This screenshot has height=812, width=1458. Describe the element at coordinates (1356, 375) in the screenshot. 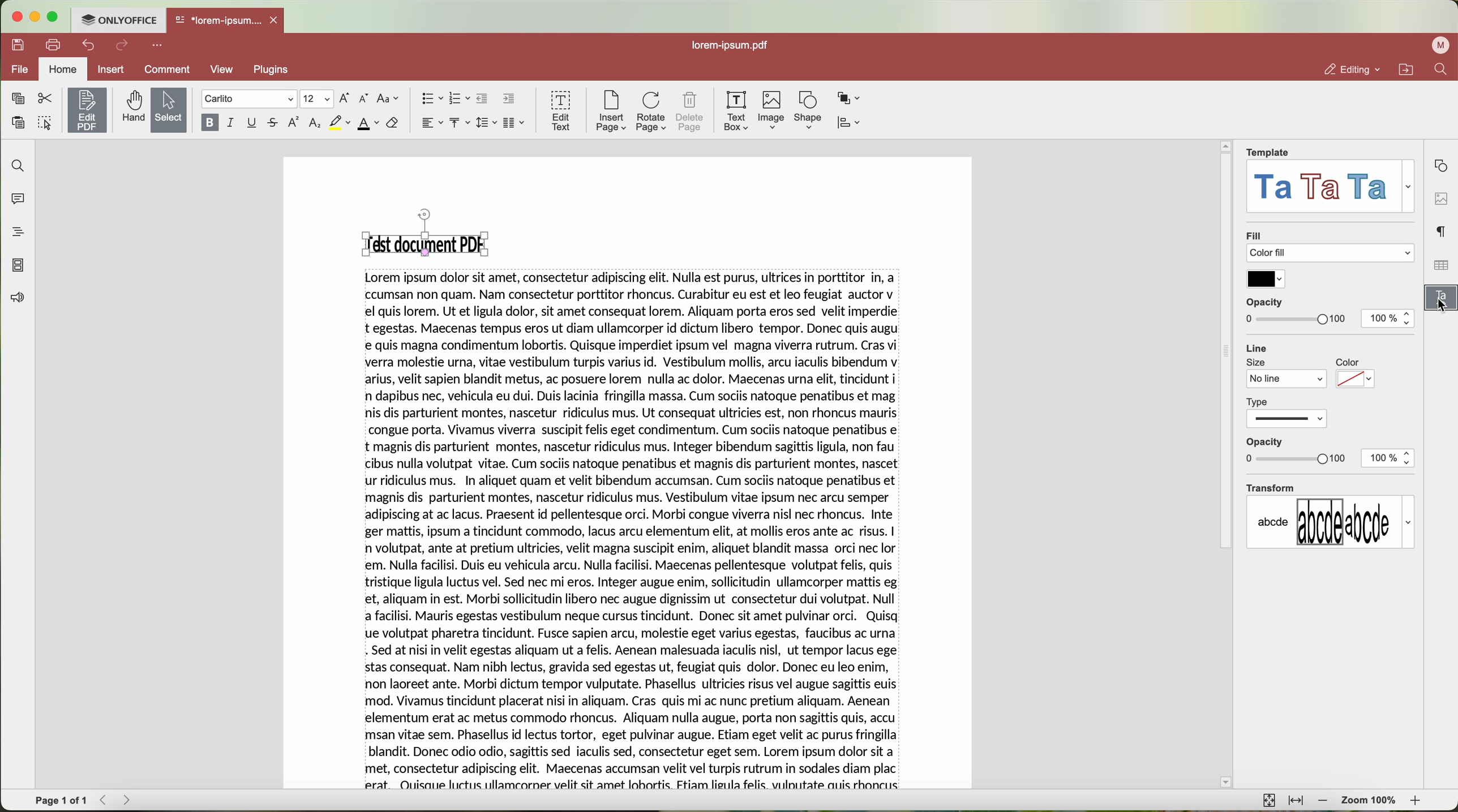

I see `color` at that location.